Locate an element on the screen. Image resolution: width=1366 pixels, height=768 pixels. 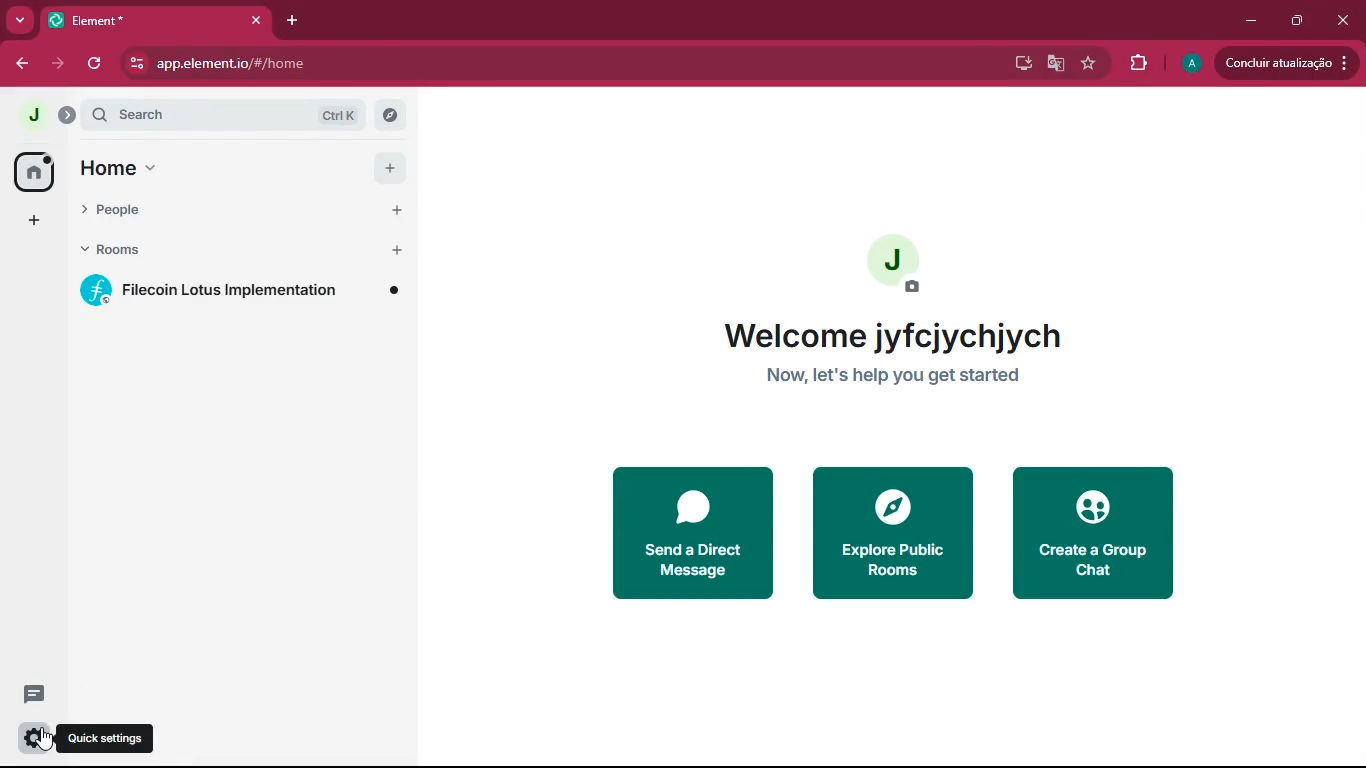
close is located at coordinates (256, 20).